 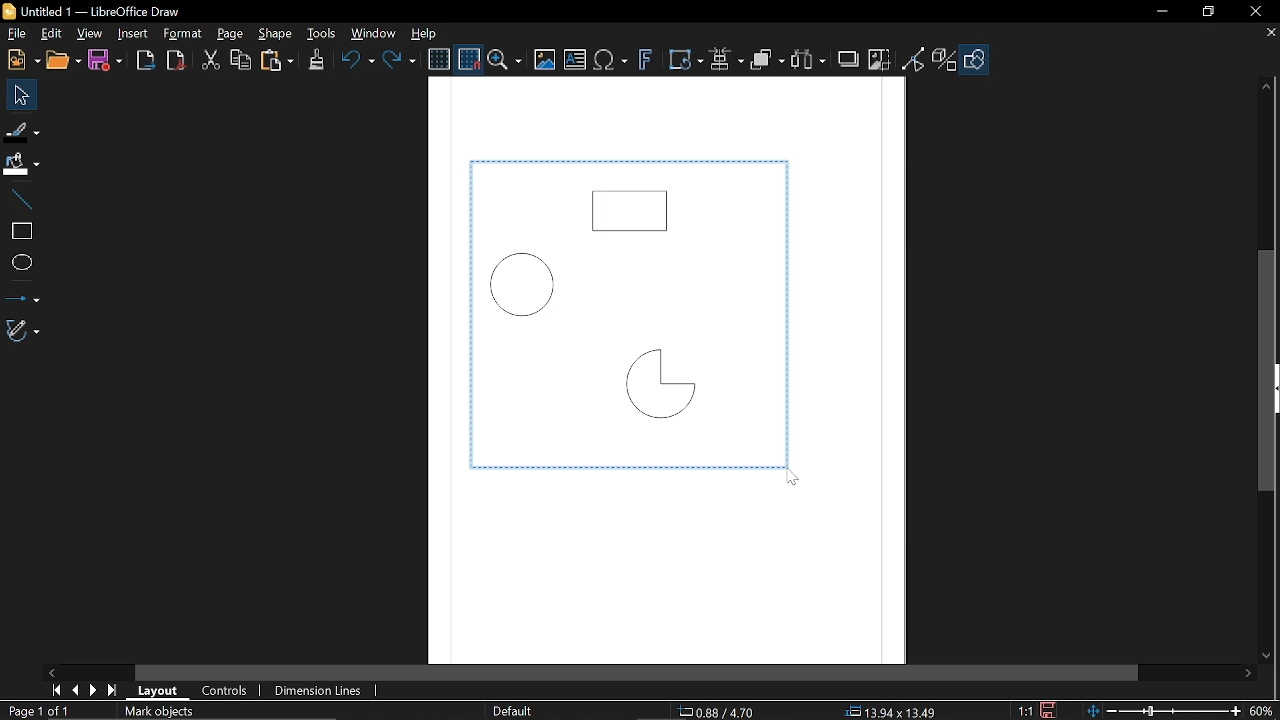 What do you see at coordinates (1248, 676) in the screenshot?
I see `Move right` at bounding box center [1248, 676].